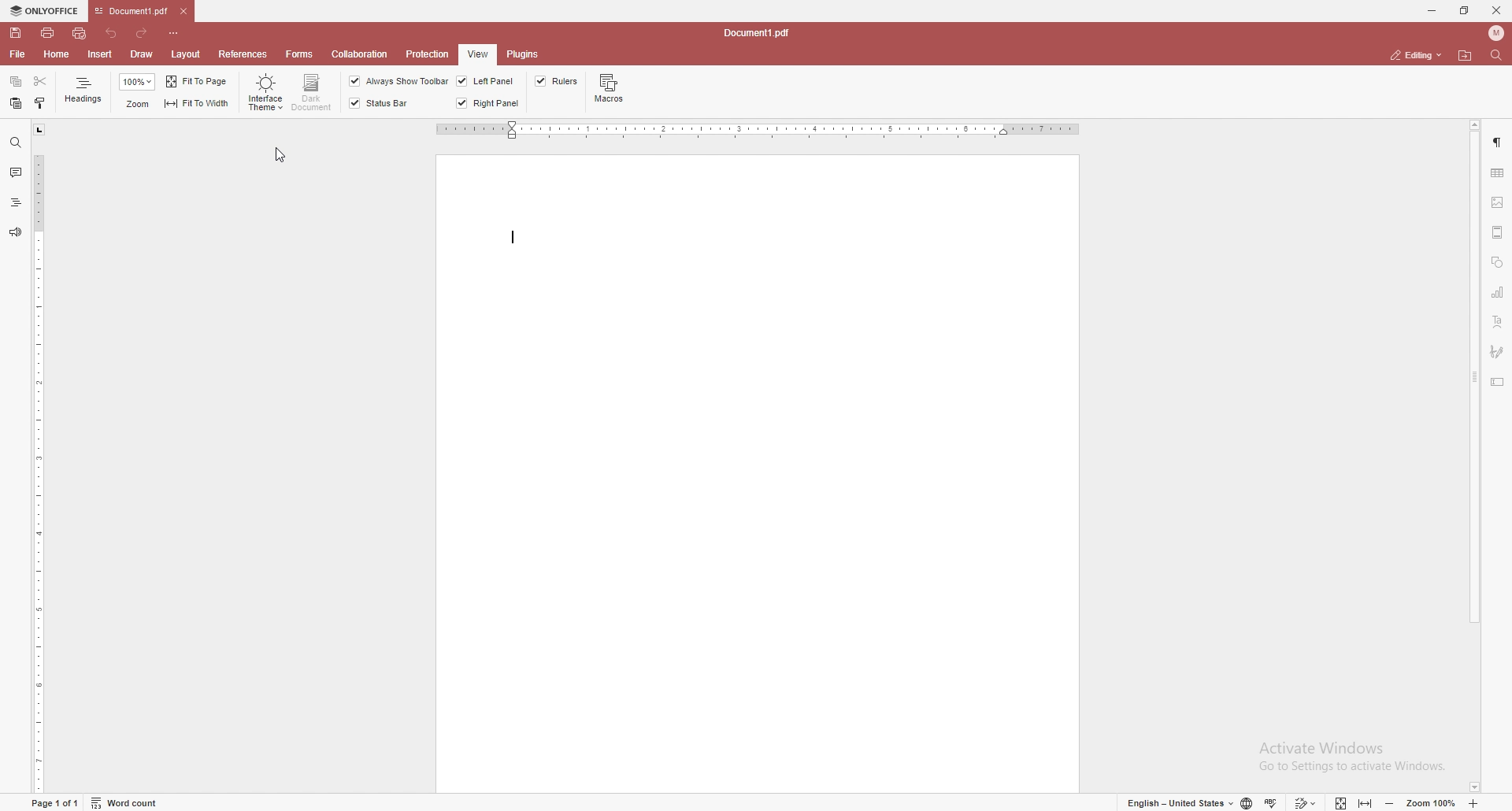 This screenshot has height=811, width=1512. I want to click on onlyoffice, so click(44, 10).